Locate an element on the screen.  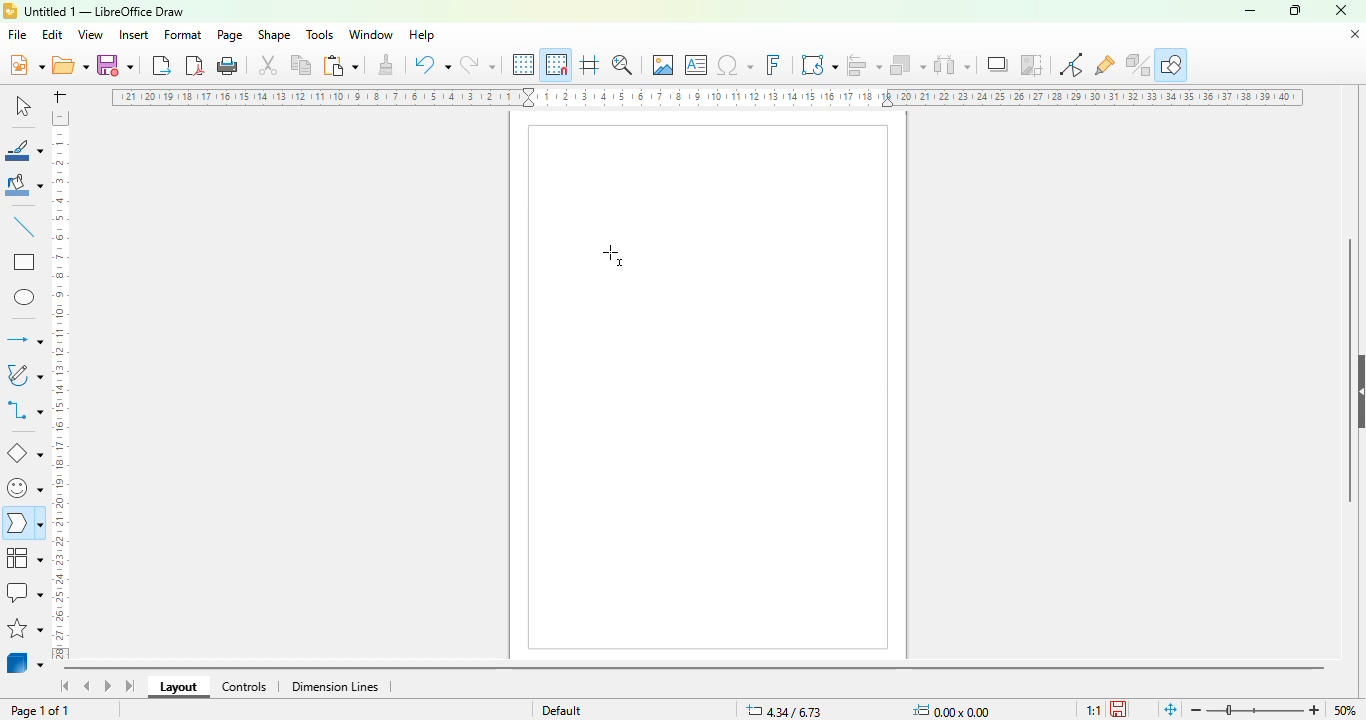
zoom & pan is located at coordinates (622, 64).